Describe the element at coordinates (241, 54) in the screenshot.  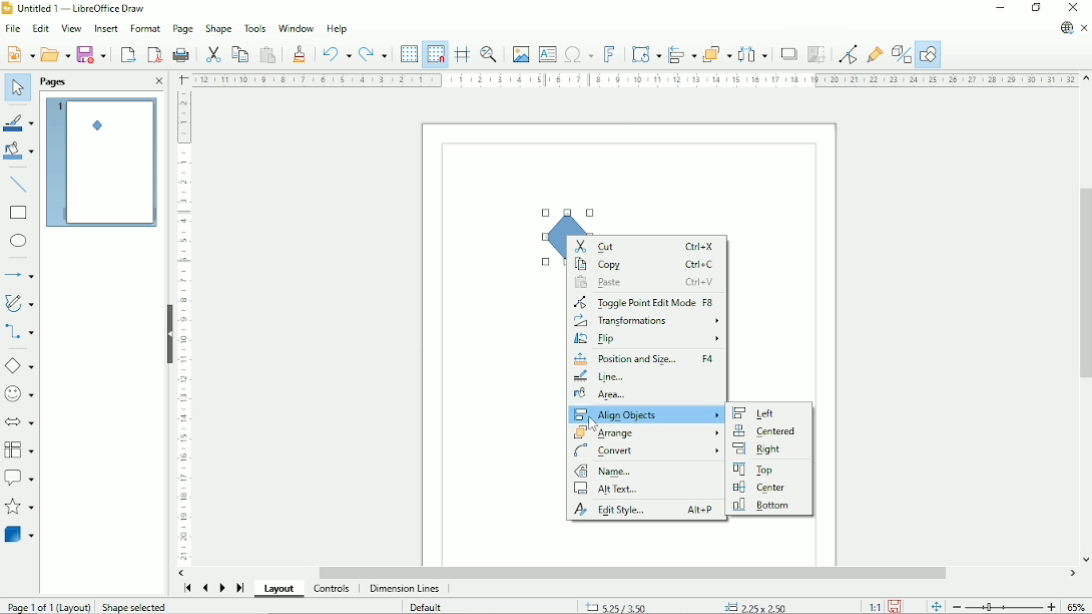
I see `Copy` at that location.